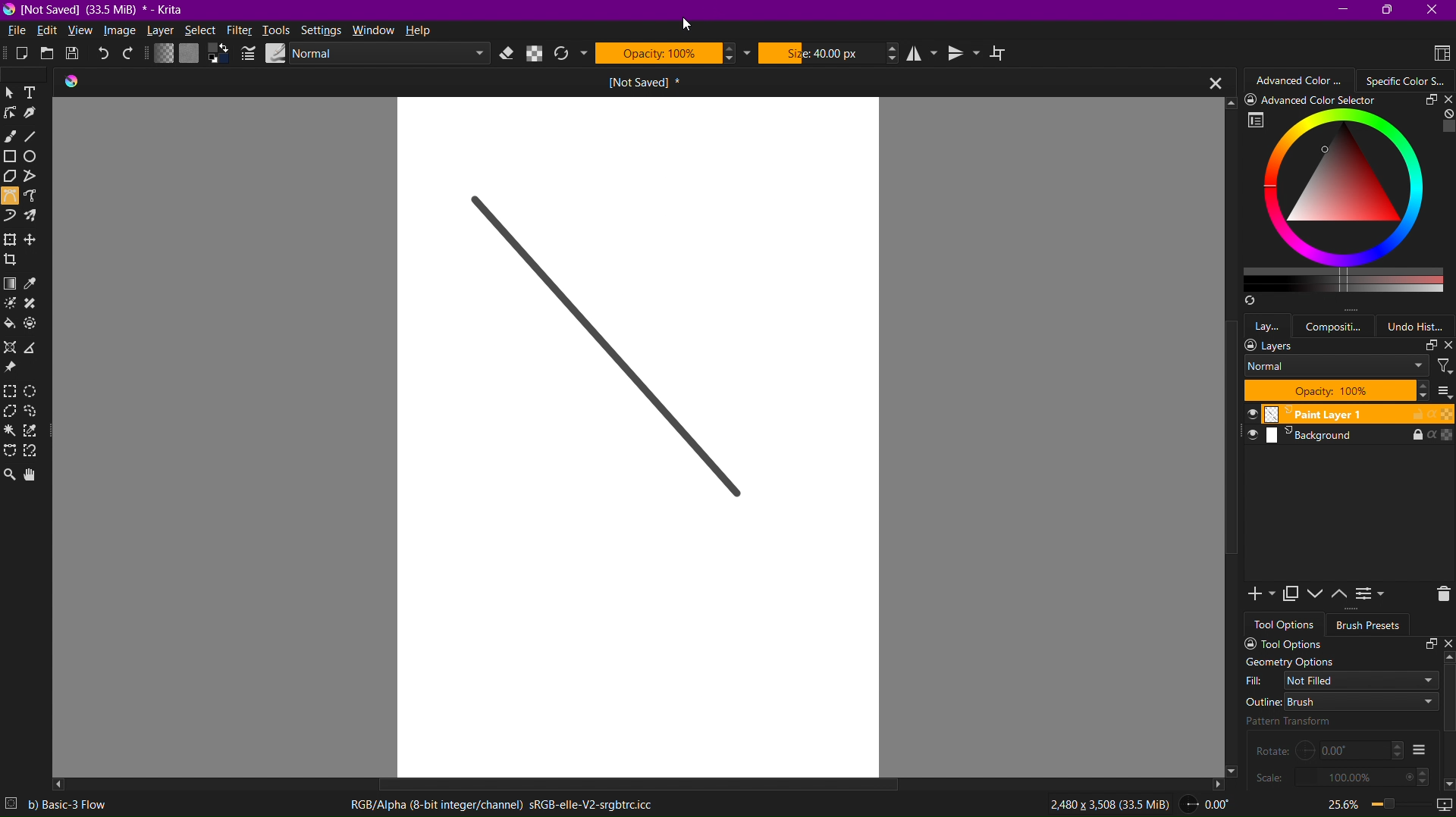  Describe the element at coordinates (1420, 326) in the screenshot. I see `Undo History` at that location.